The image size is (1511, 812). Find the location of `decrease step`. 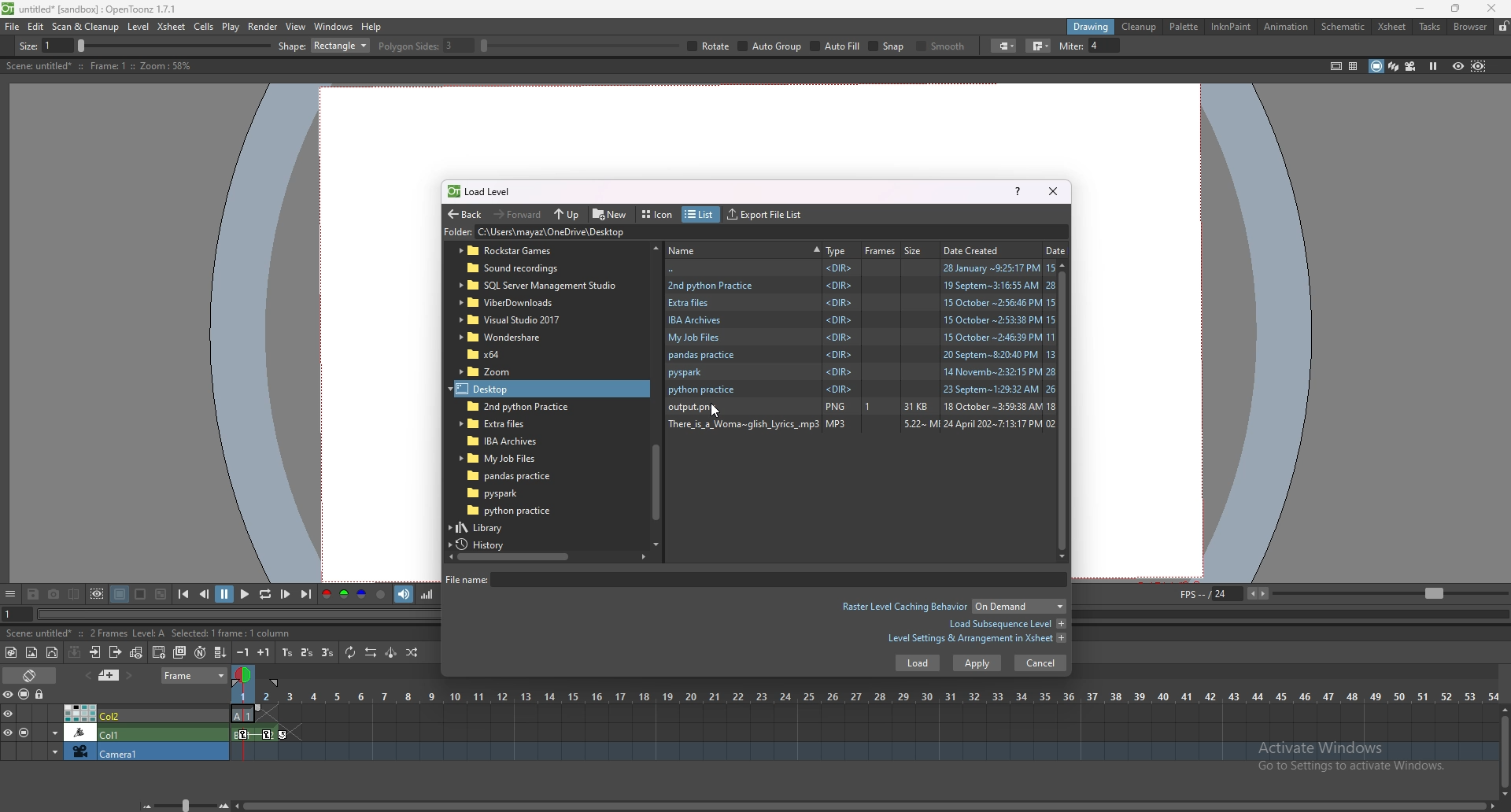

decrease step is located at coordinates (243, 652).